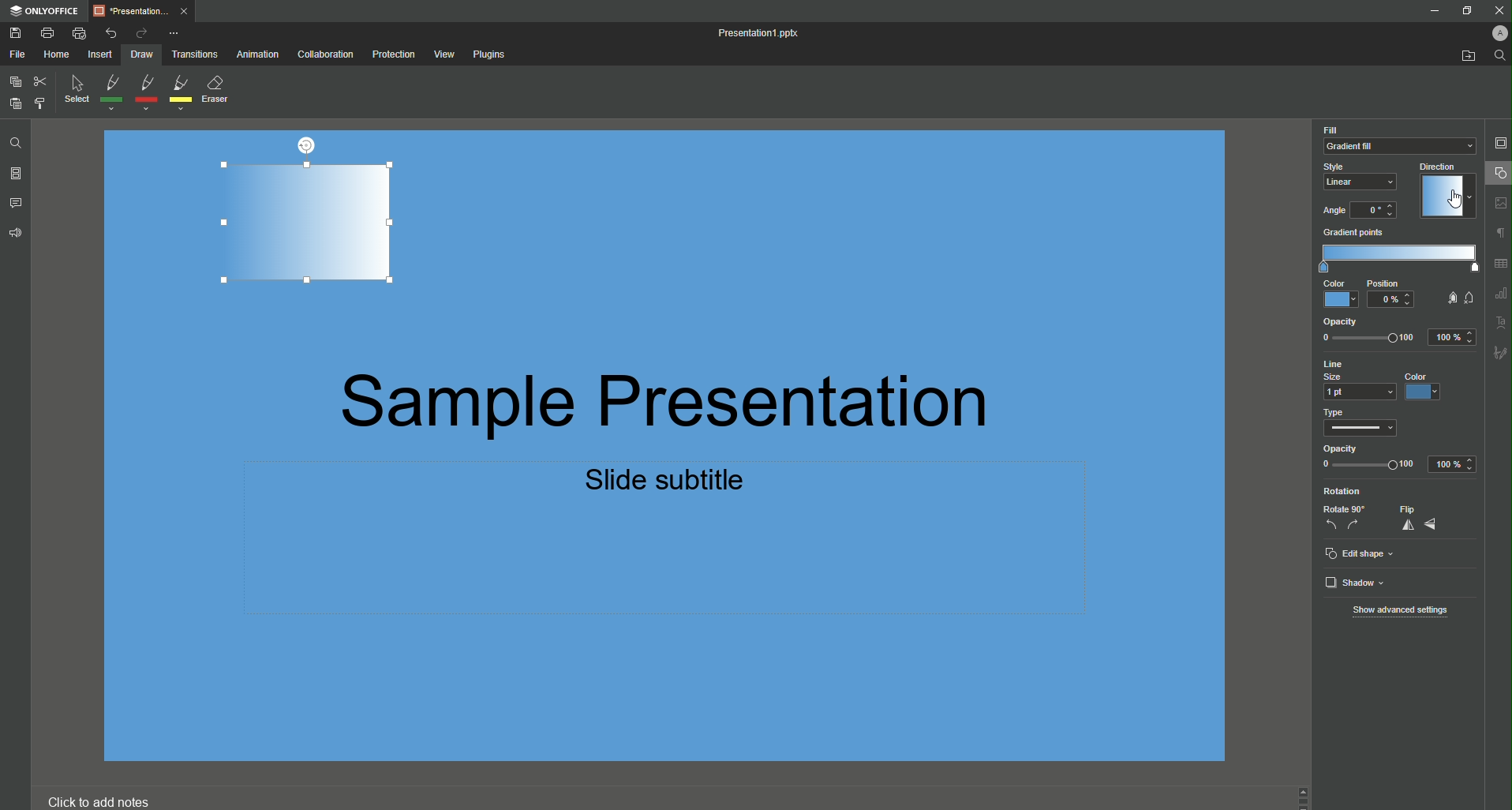  I want to click on Transitions, so click(197, 55).